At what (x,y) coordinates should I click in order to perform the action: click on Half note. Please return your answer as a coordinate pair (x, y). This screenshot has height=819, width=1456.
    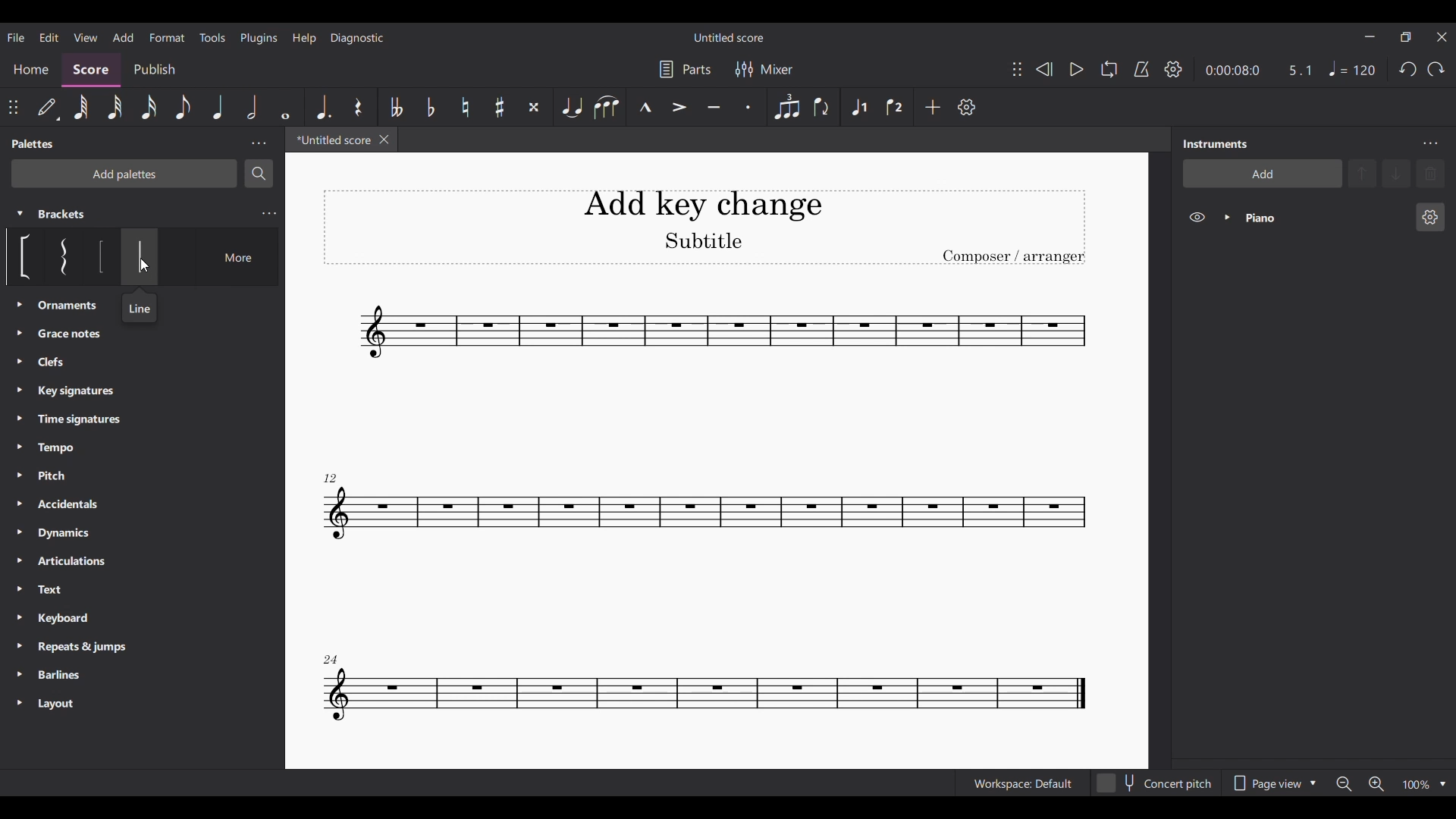
    Looking at the image, I should click on (252, 107).